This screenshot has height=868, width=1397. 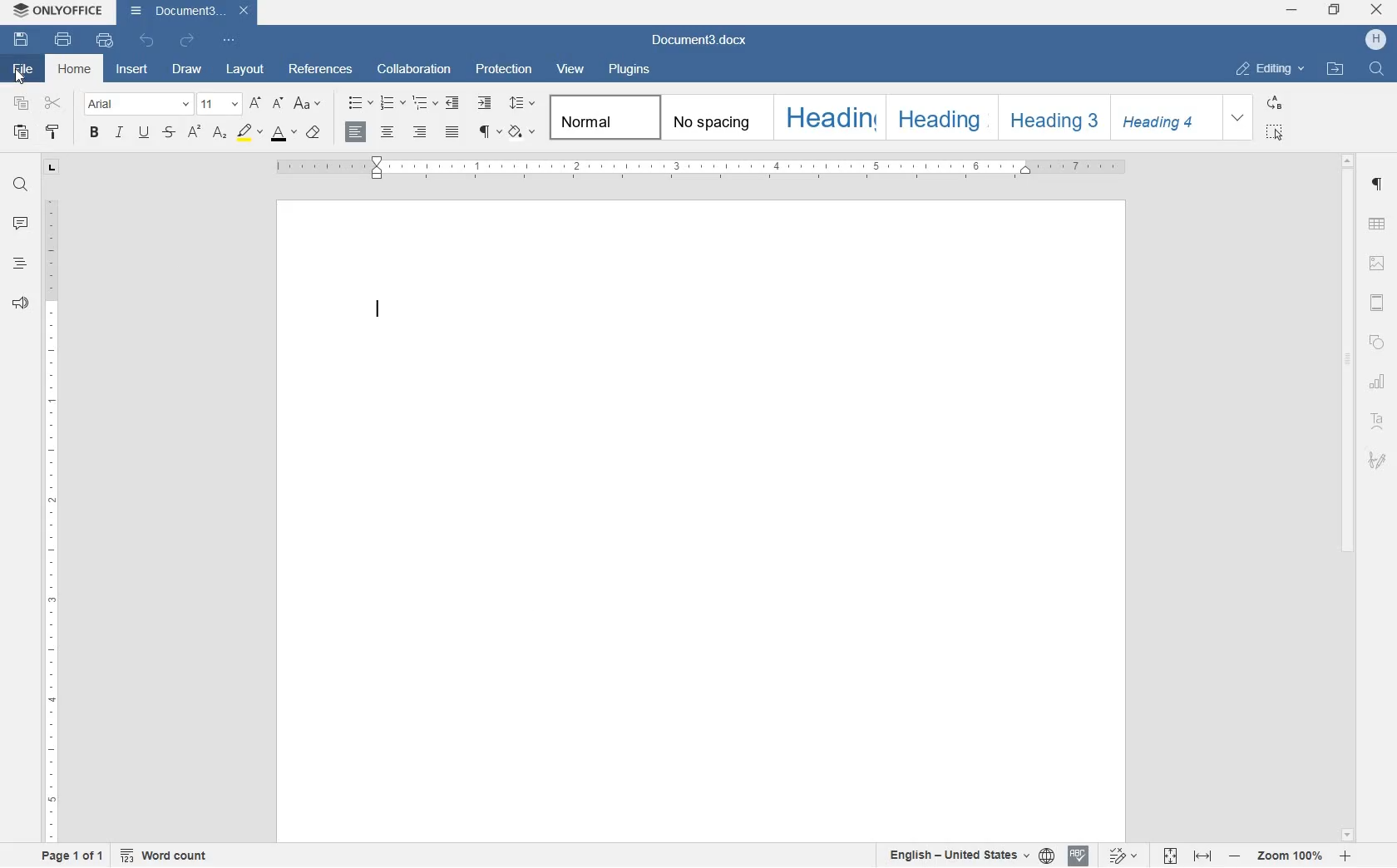 I want to click on numbering, so click(x=392, y=103).